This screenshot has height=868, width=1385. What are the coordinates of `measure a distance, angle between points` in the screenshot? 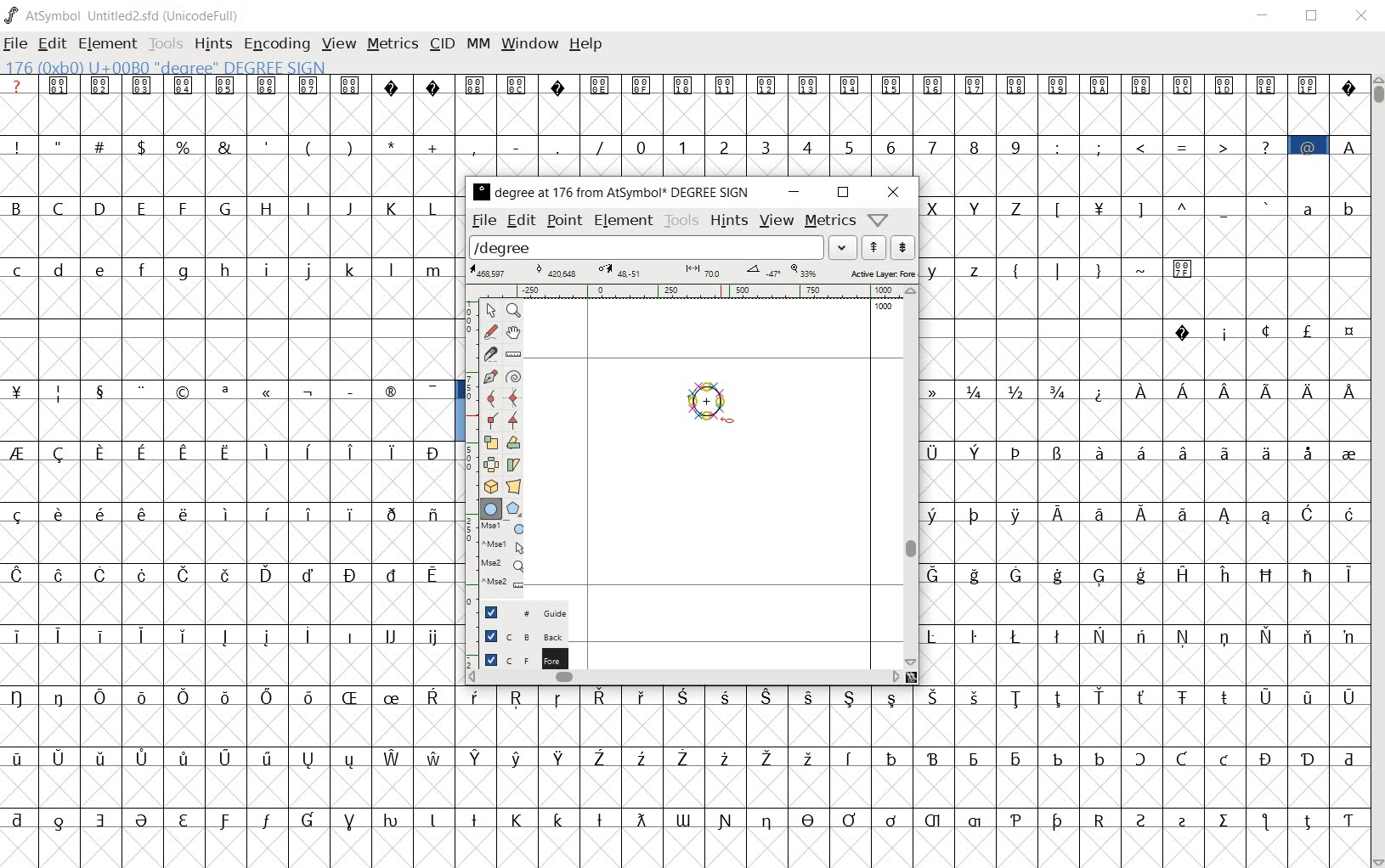 It's located at (514, 355).